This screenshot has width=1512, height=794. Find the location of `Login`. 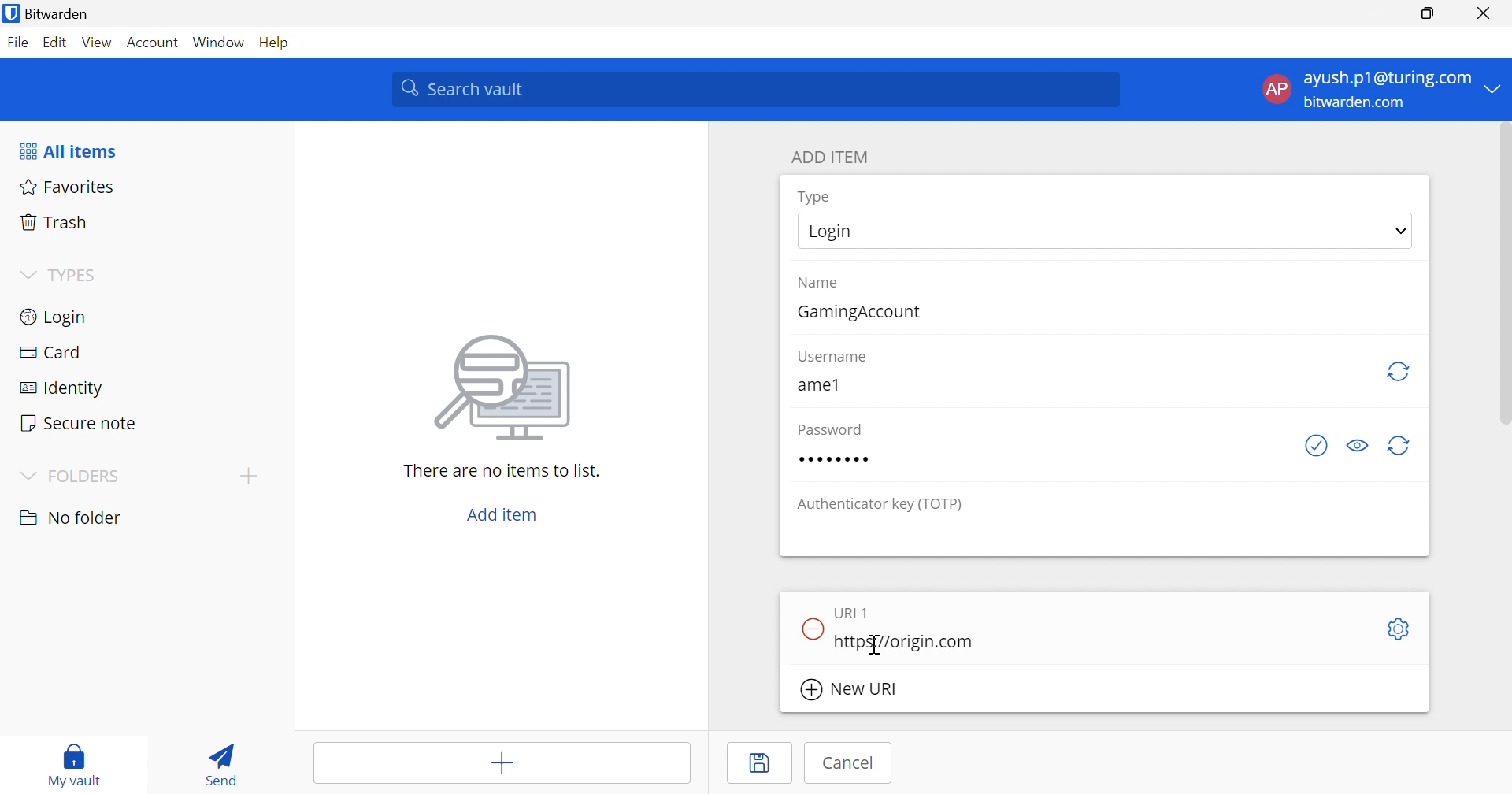

Login is located at coordinates (55, 317).